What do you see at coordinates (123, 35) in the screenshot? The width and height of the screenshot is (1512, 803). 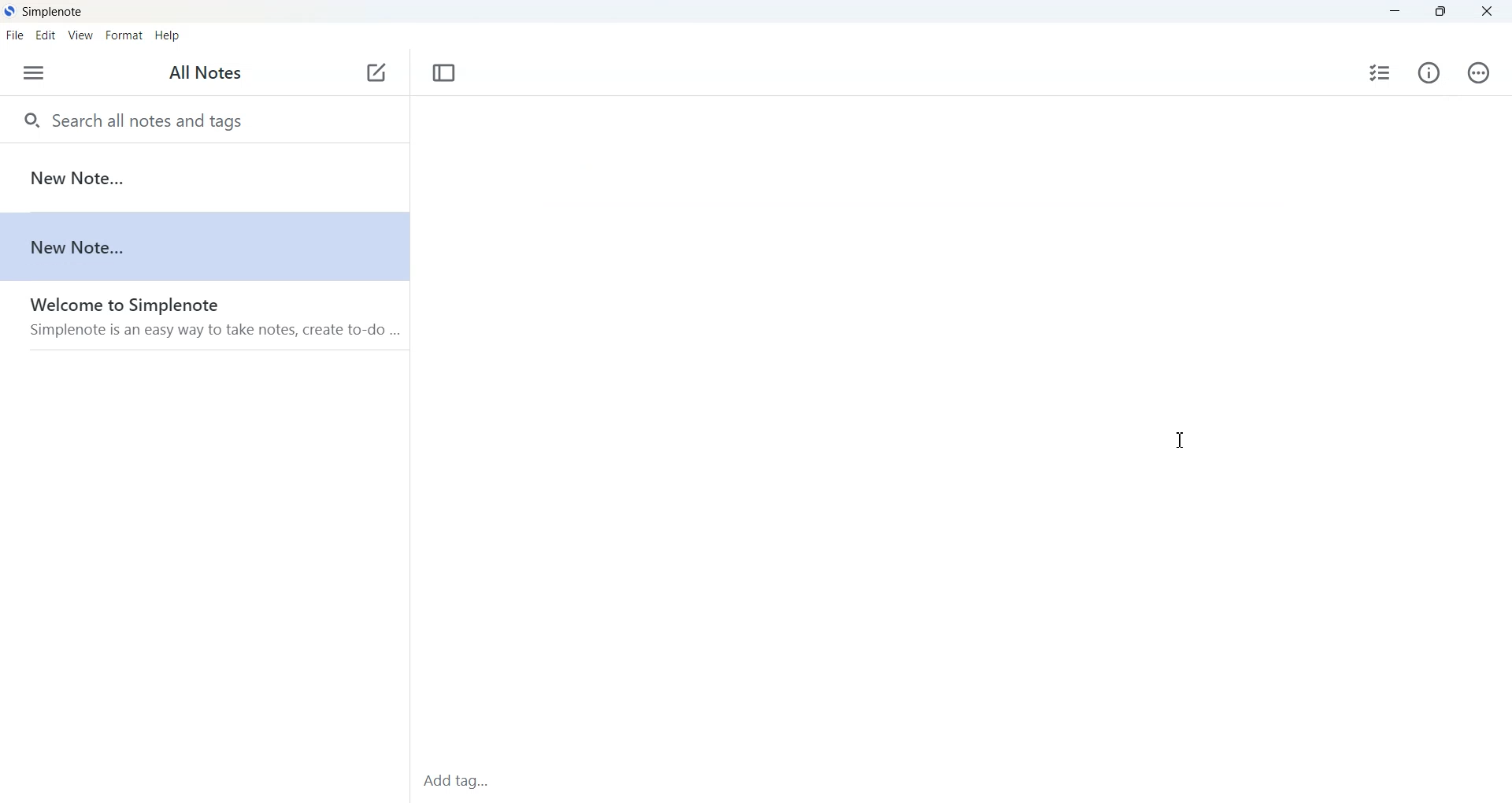 I see `Format` at bounding box center [123, 35].